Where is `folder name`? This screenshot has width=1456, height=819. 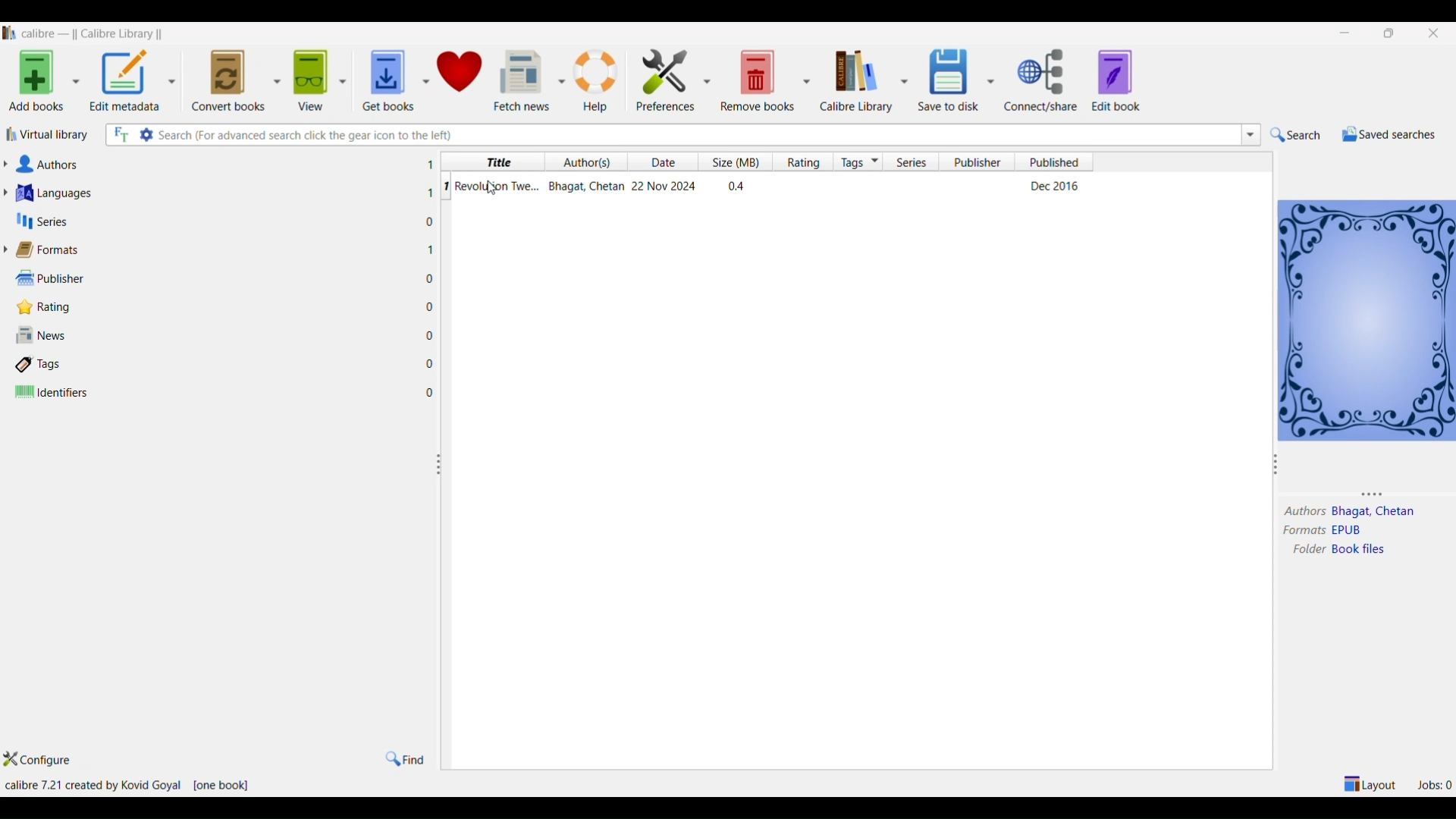
folder name is located at coordinates (1362, 550).